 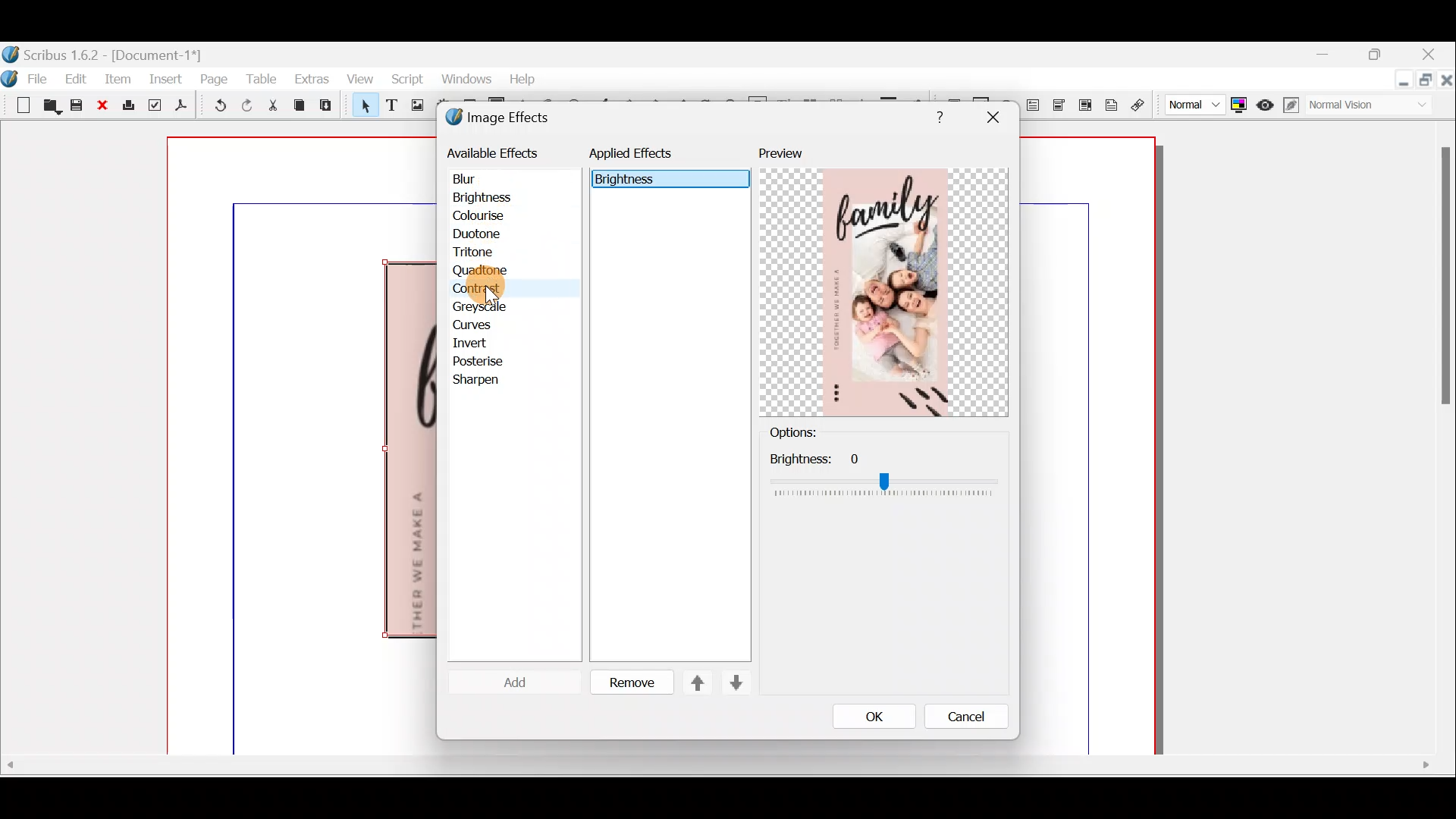 I want to click on Toggle colour management system, so click(x=1239, y=102).